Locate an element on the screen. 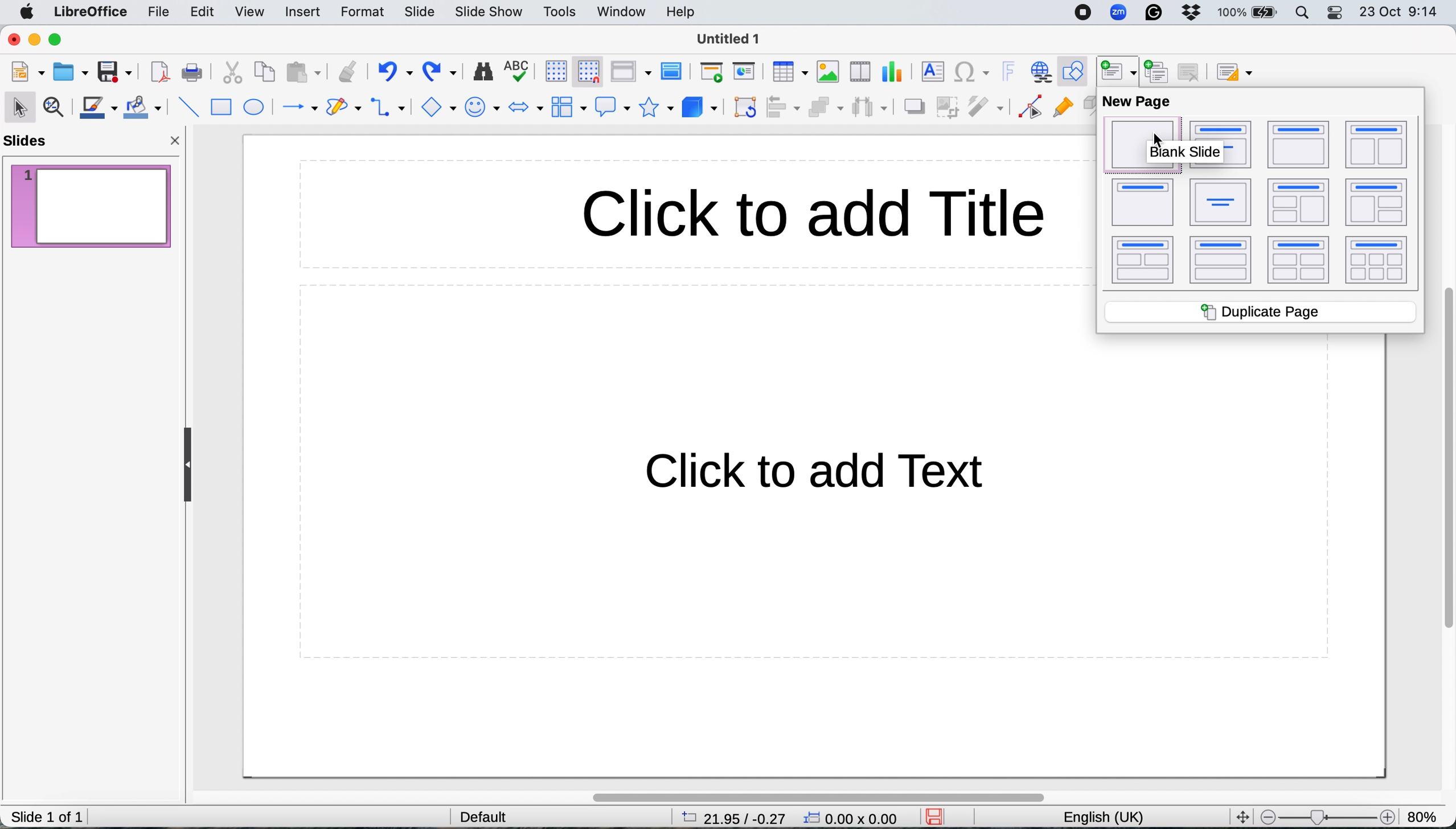 This screenshot has height=829, width=1456. centered text is located at coordinates (1220, 203).